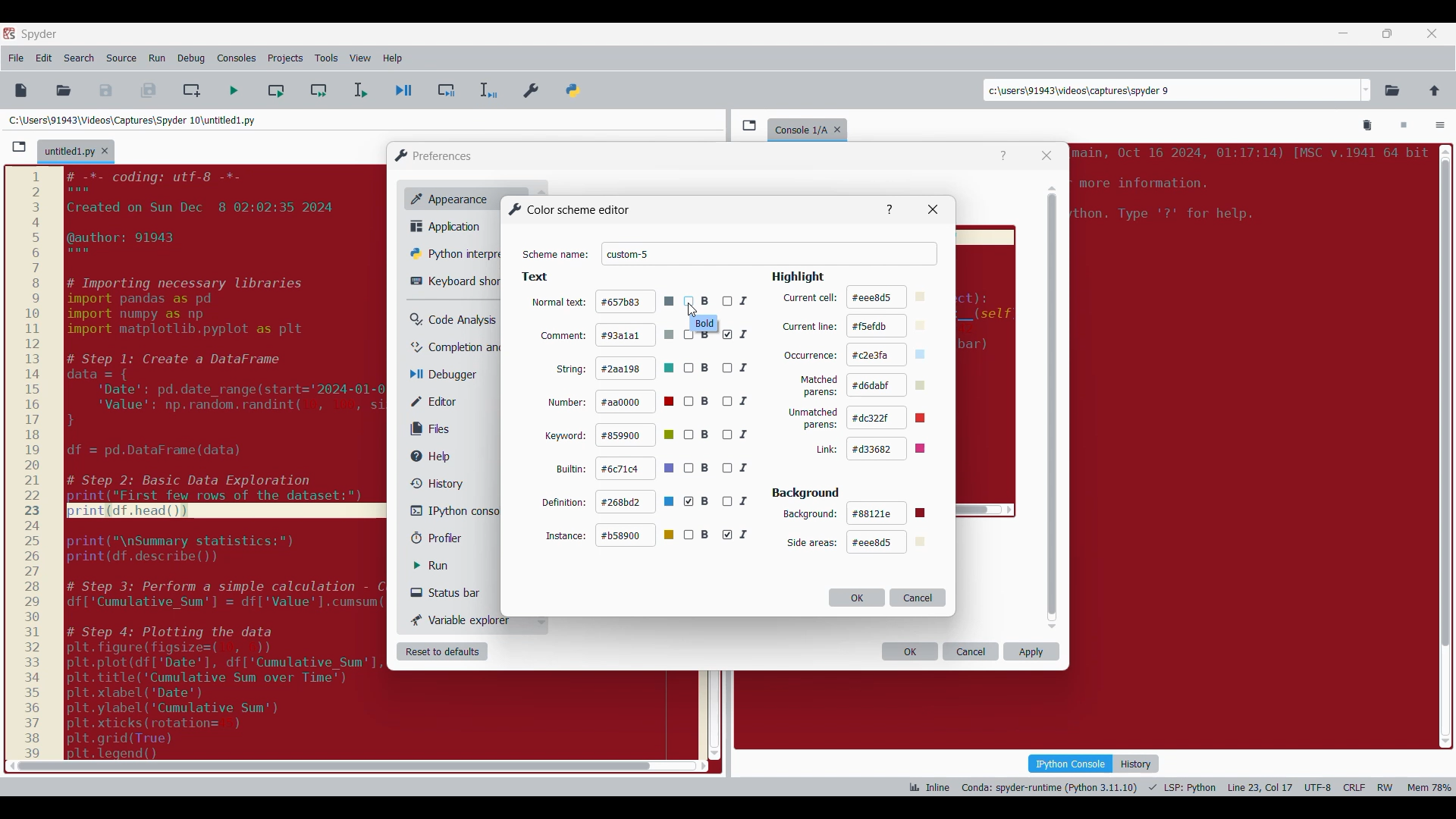 This screenshot has height=819, width=1456. What do you see at coordinates (1070, 763) in the screenshot?
I see `IPython console` at bounding box center [1070, 763].